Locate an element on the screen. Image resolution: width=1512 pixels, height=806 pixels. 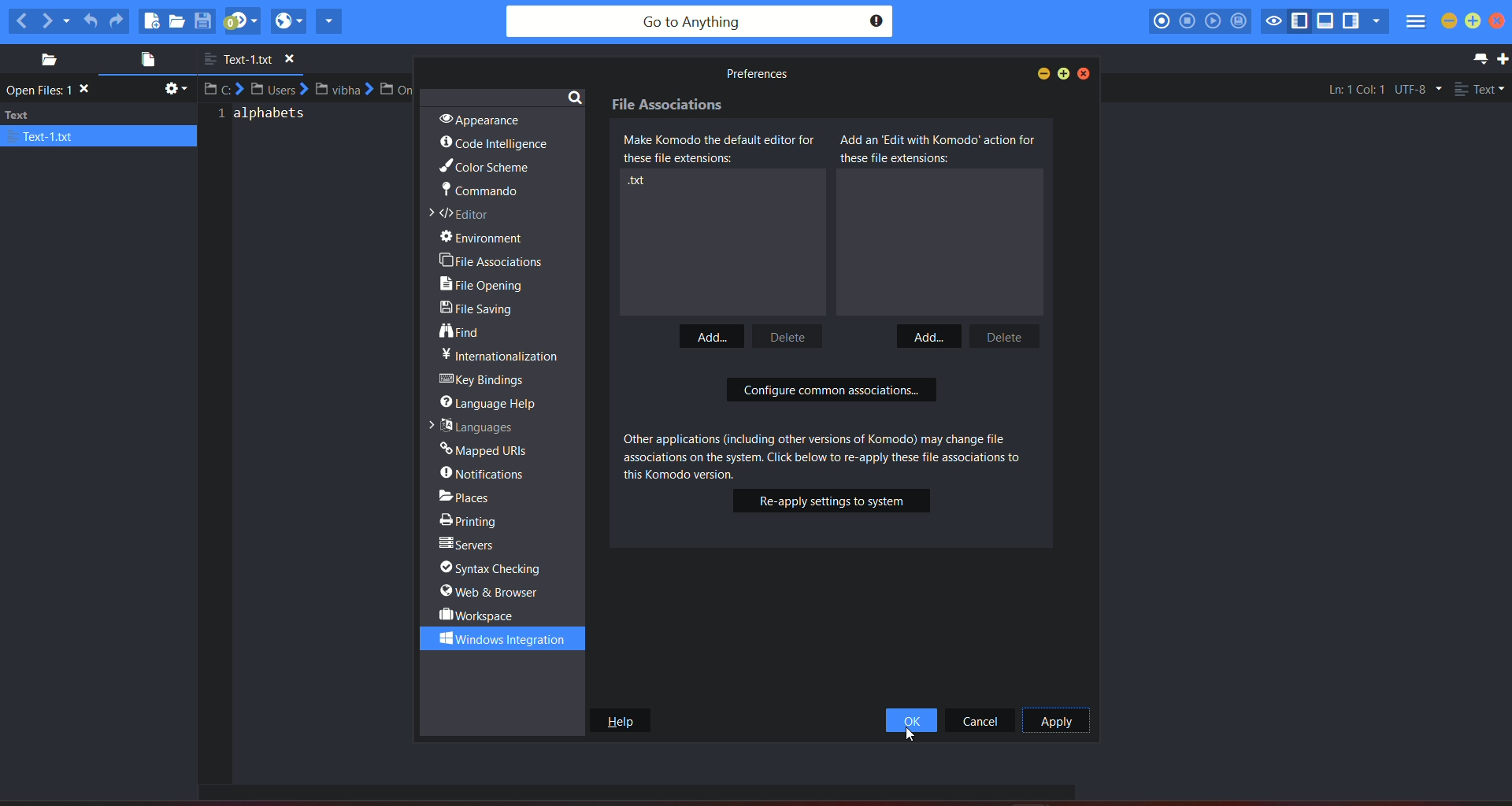
notifications is located at coordinates (485, 473).